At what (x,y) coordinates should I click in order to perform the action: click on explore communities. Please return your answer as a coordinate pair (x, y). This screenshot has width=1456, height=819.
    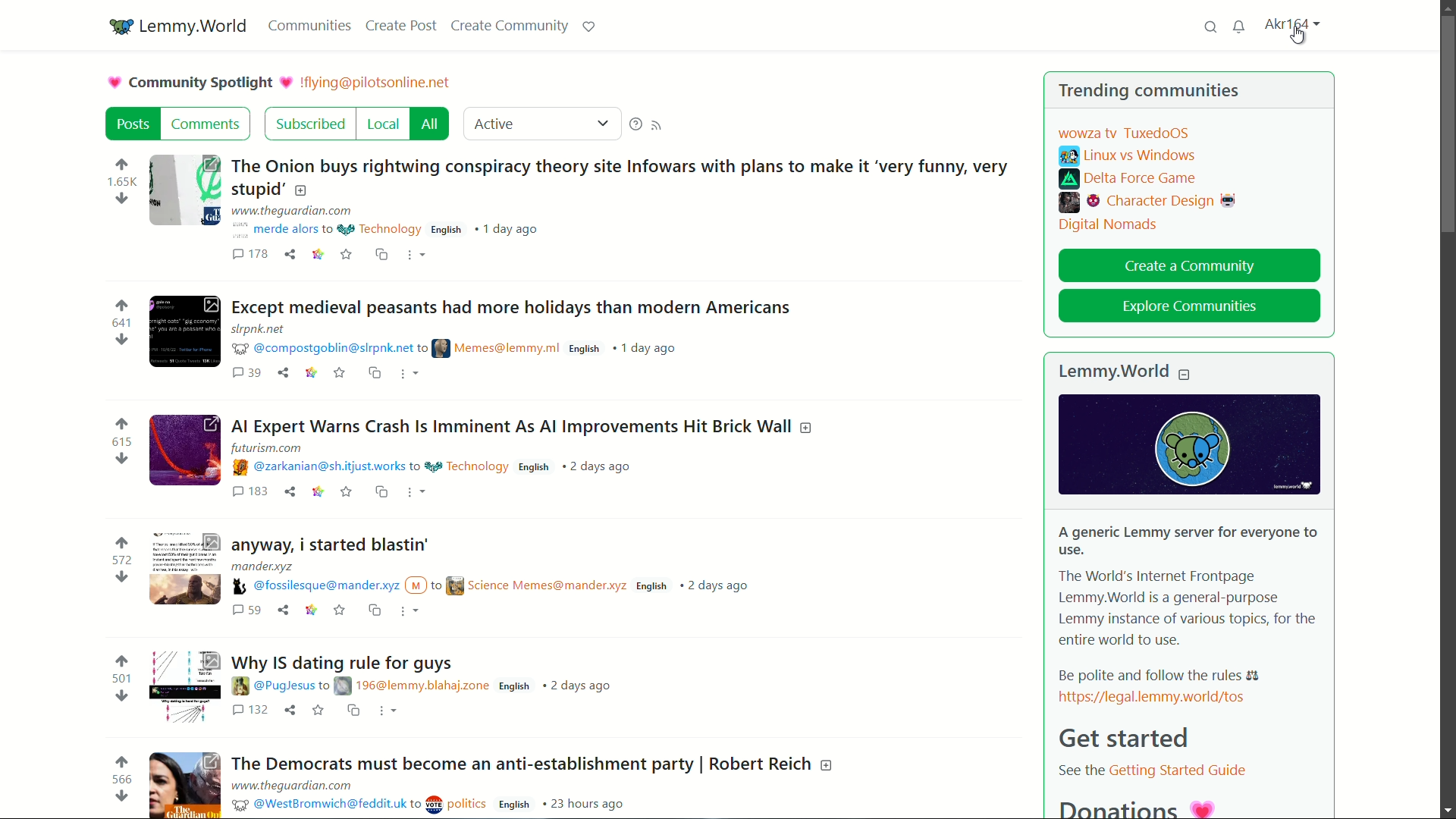
    Looking at the image, I should click on (1188, 307).